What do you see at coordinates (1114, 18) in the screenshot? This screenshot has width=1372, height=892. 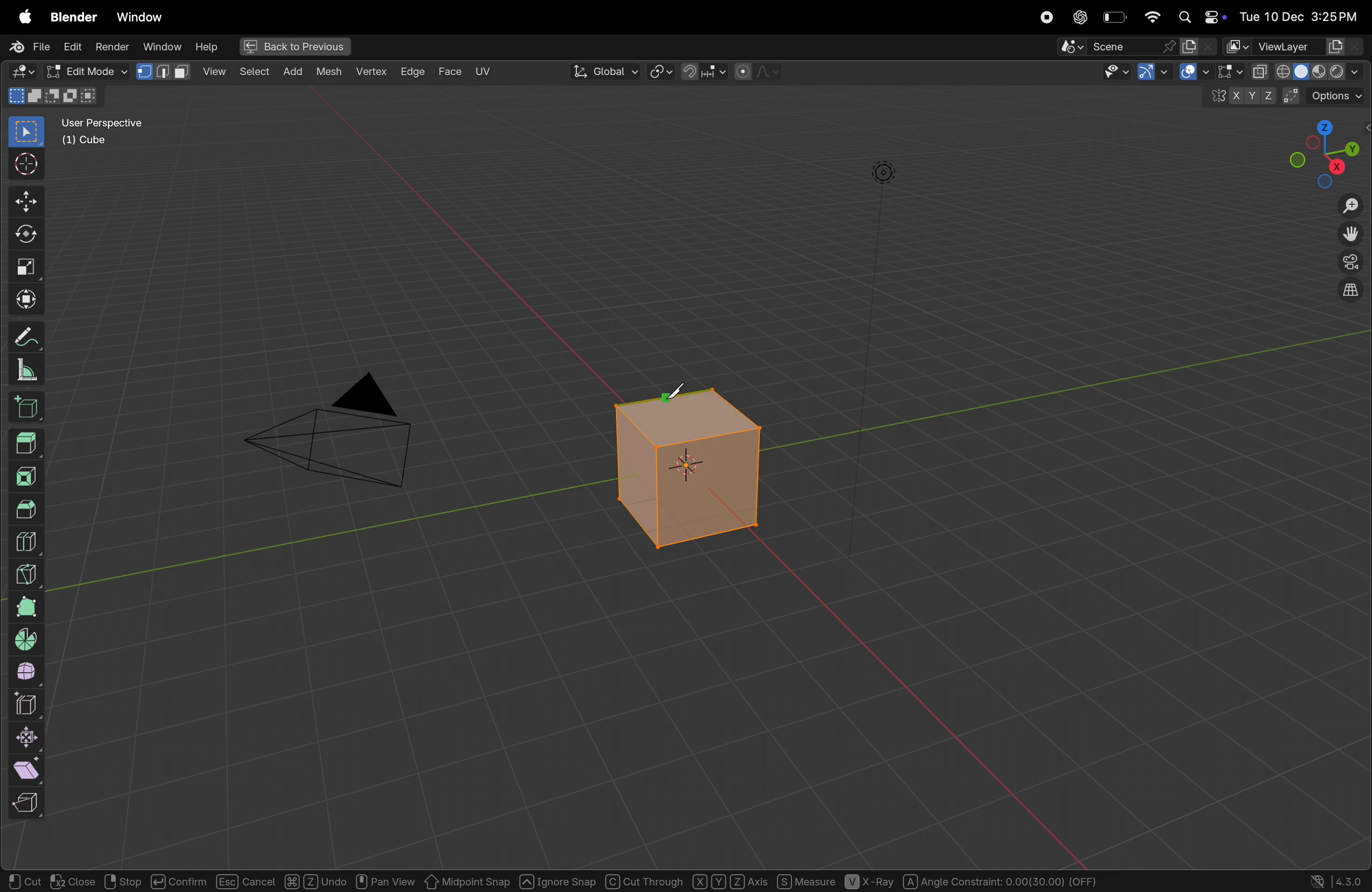 I see `battery` at bounding box center [1114, 18].